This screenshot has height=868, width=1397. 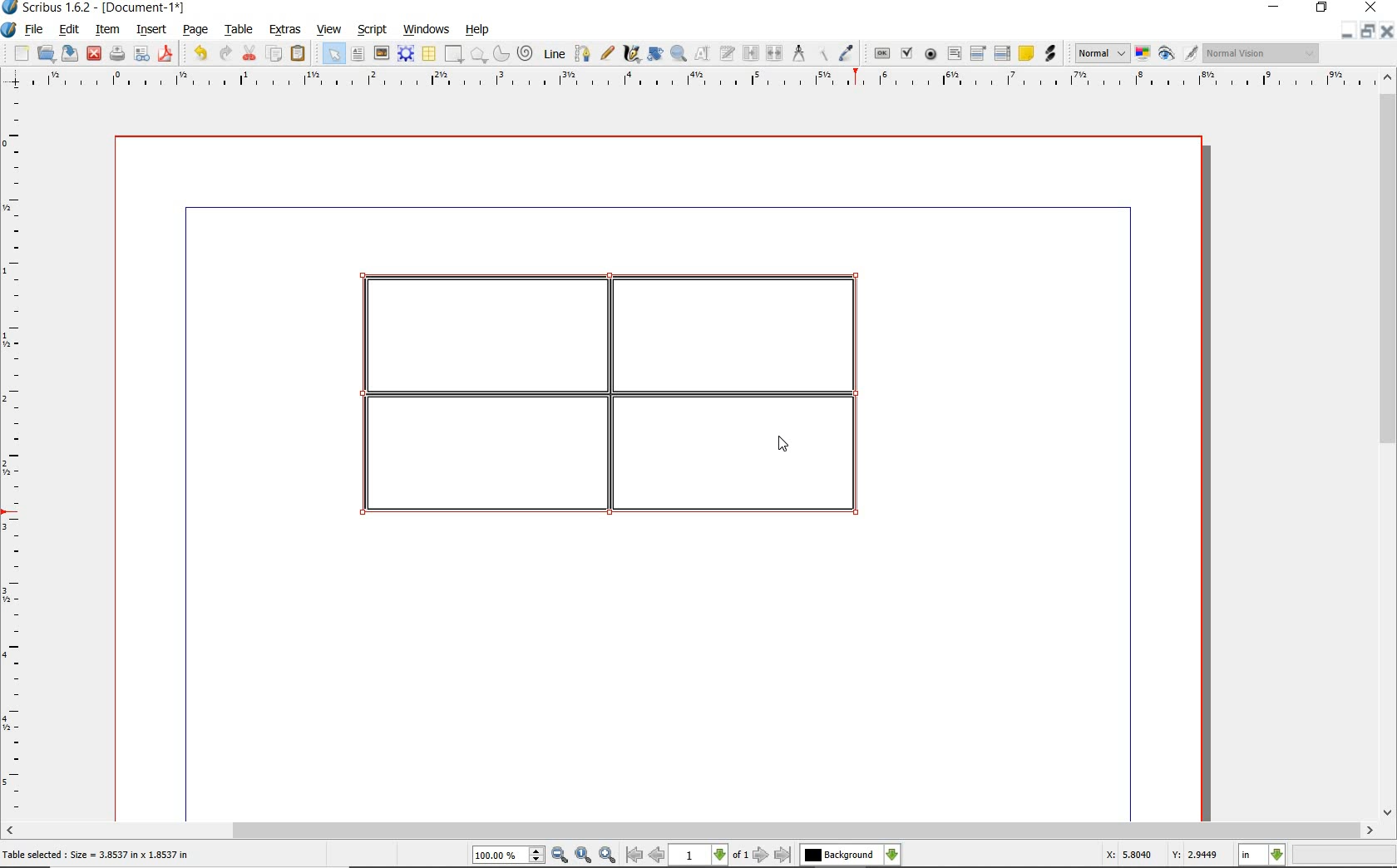 What do you see at coordinates (776, 53) in the screenshot?
I see `unlink text frames` at bounding box center [776, 53].